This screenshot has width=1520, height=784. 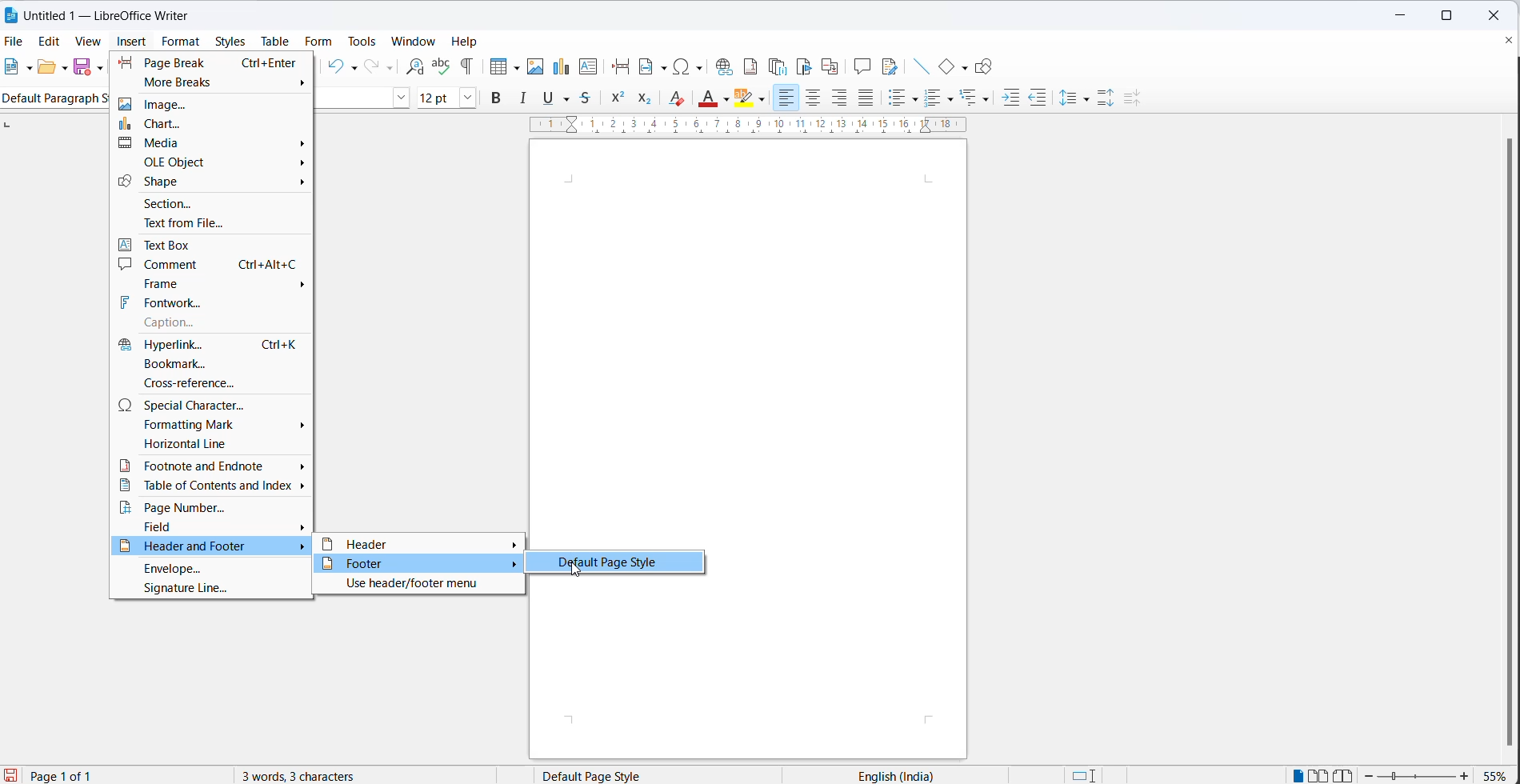 I want to click on open, so click(x=44, y=68).